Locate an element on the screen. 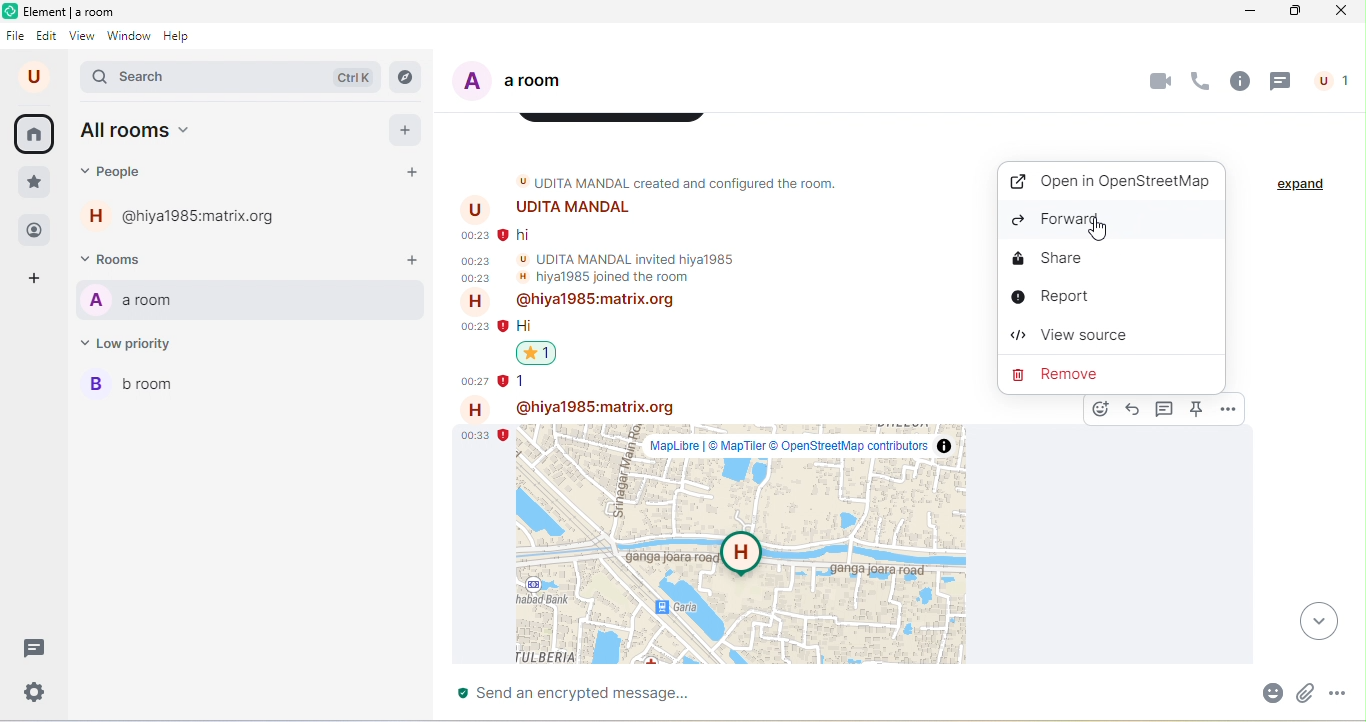 Image resolution: width=1366 pixels, height=722 pixels. react is located at coordinates (1102, 408).